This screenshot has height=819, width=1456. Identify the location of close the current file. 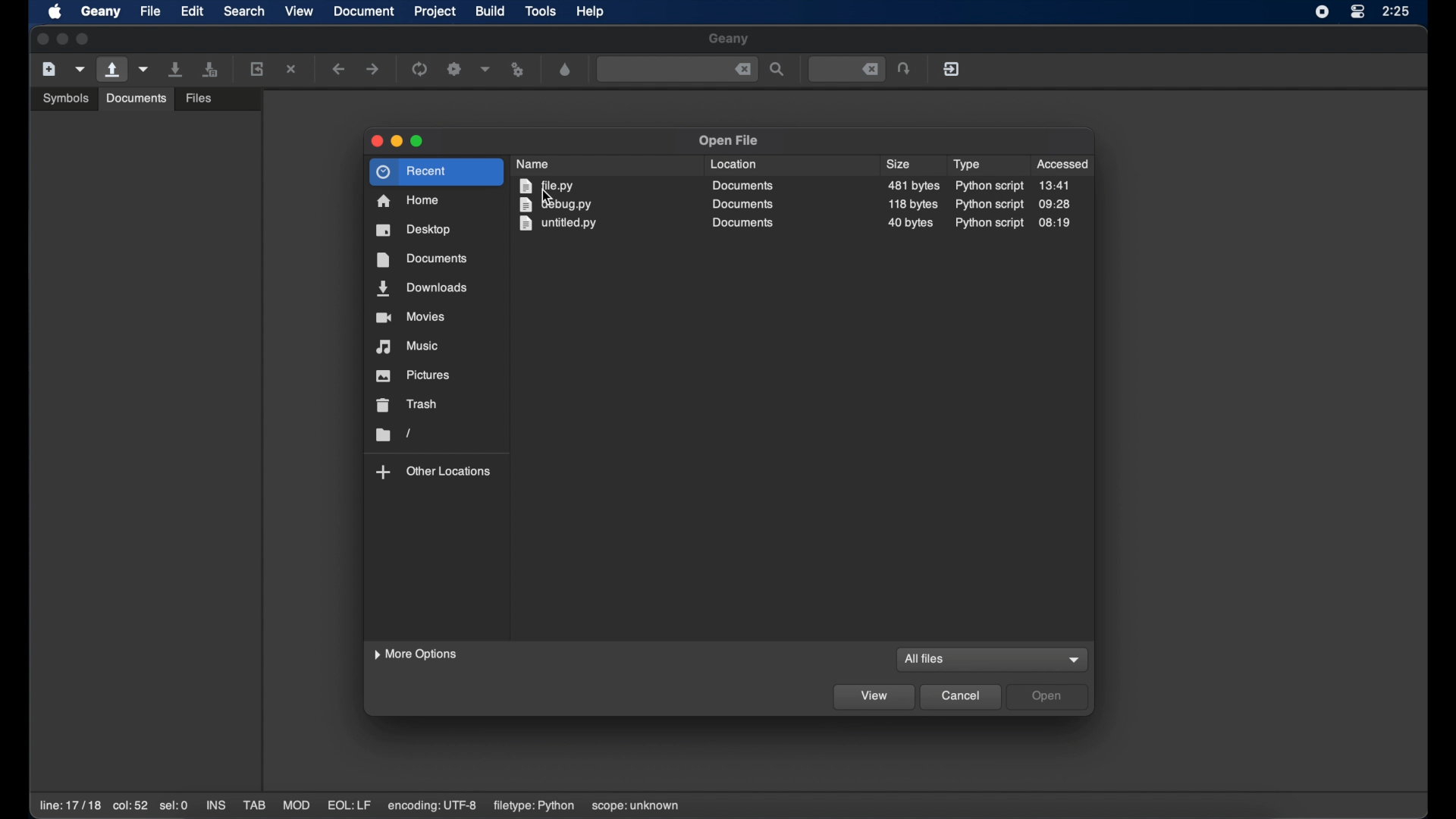
(292, 69).